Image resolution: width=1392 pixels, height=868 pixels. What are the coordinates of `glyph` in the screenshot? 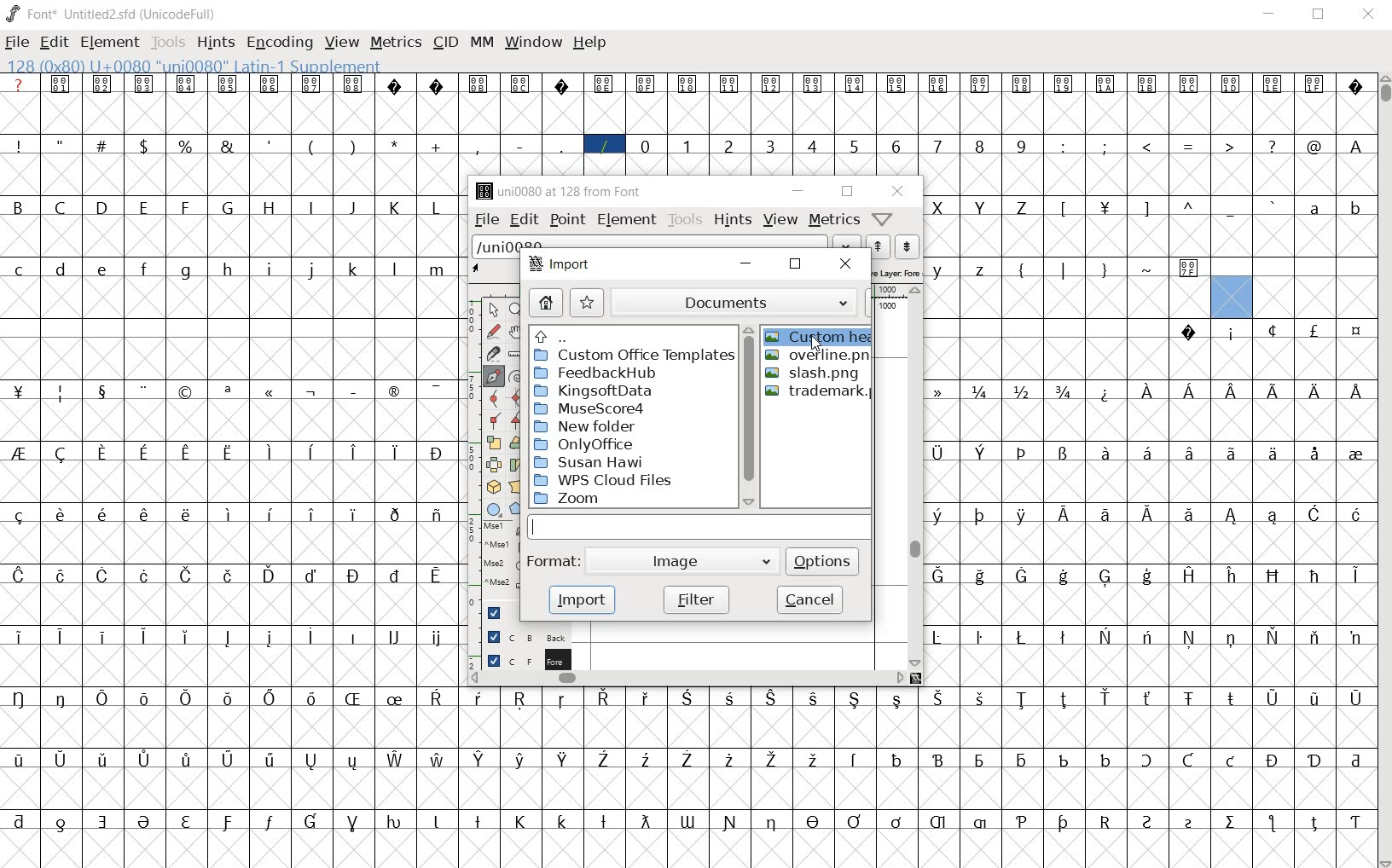 It's located at (1314, 513).